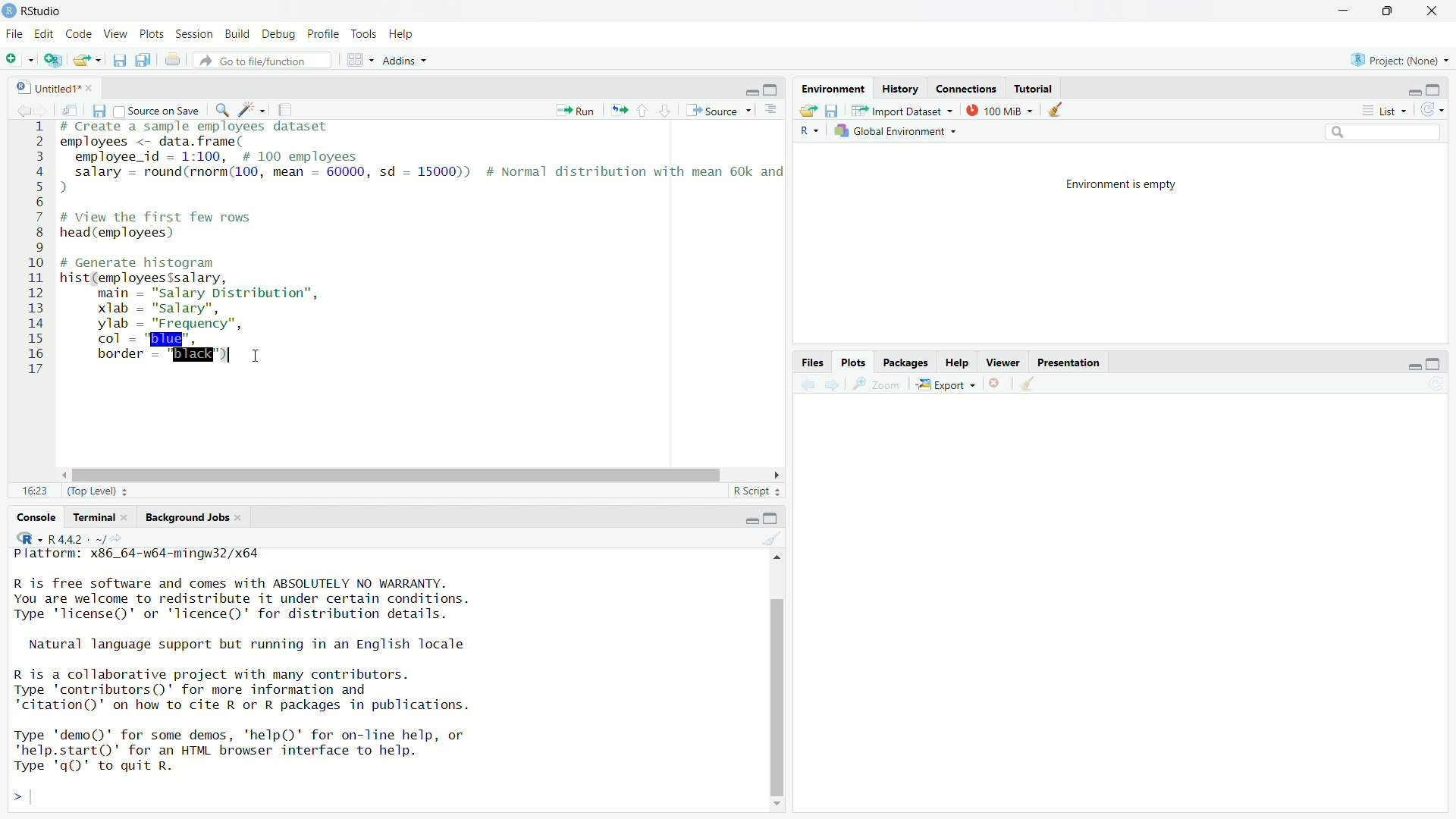 This screenshot has height=819, width=1456. What do you see at coordinates (240, 518) in the screenshot?
I see `close` at bounding box center [240, 518].